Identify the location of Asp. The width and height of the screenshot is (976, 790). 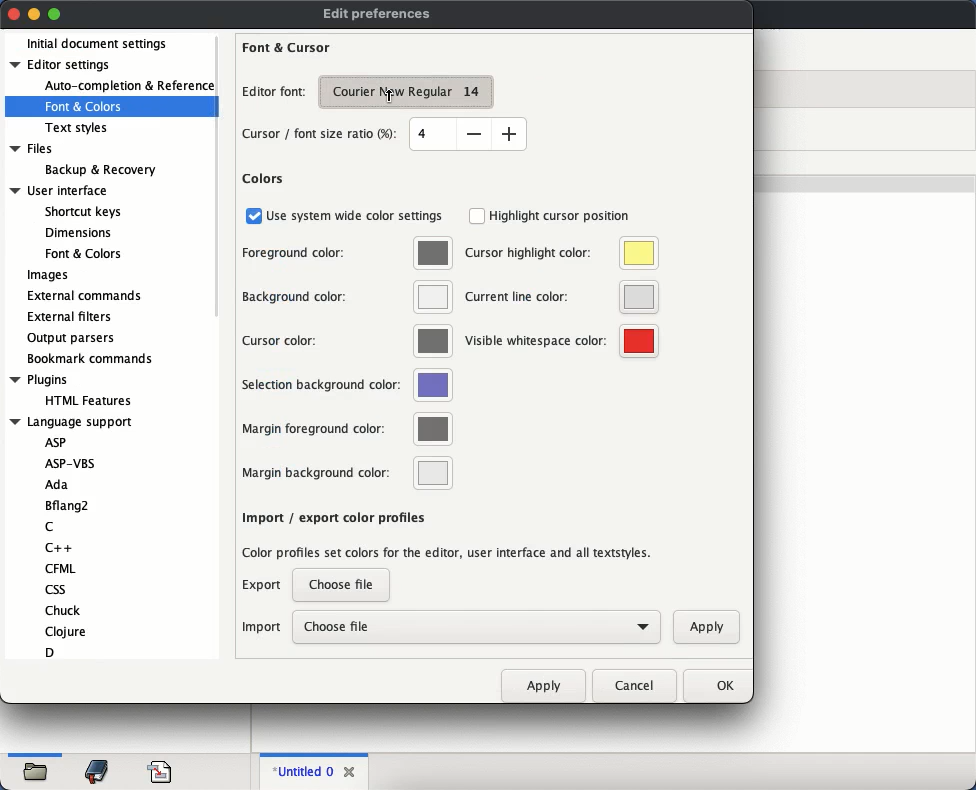
(55, 442).